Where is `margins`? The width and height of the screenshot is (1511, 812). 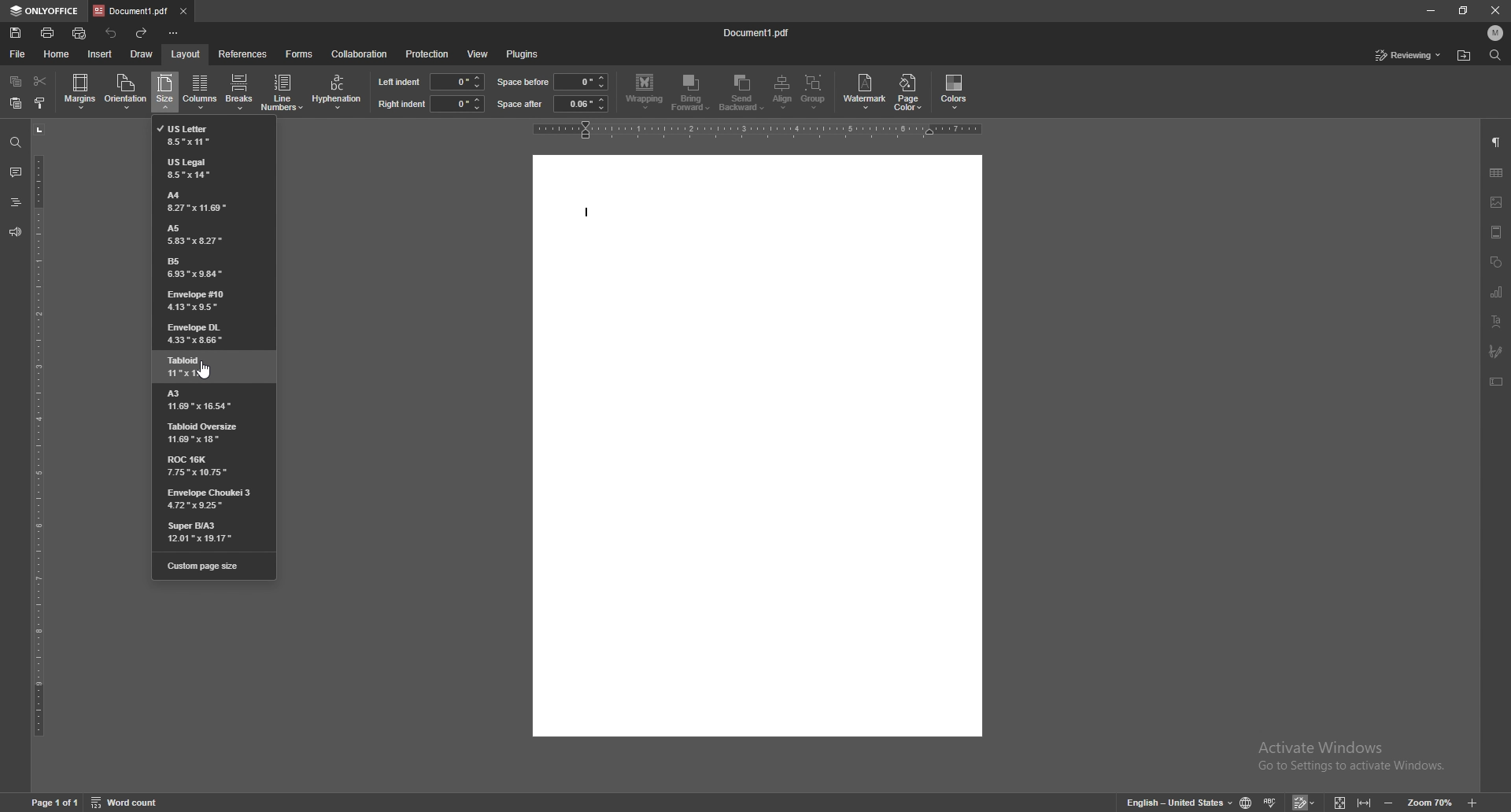 margins is located at coordinates (81, 90).